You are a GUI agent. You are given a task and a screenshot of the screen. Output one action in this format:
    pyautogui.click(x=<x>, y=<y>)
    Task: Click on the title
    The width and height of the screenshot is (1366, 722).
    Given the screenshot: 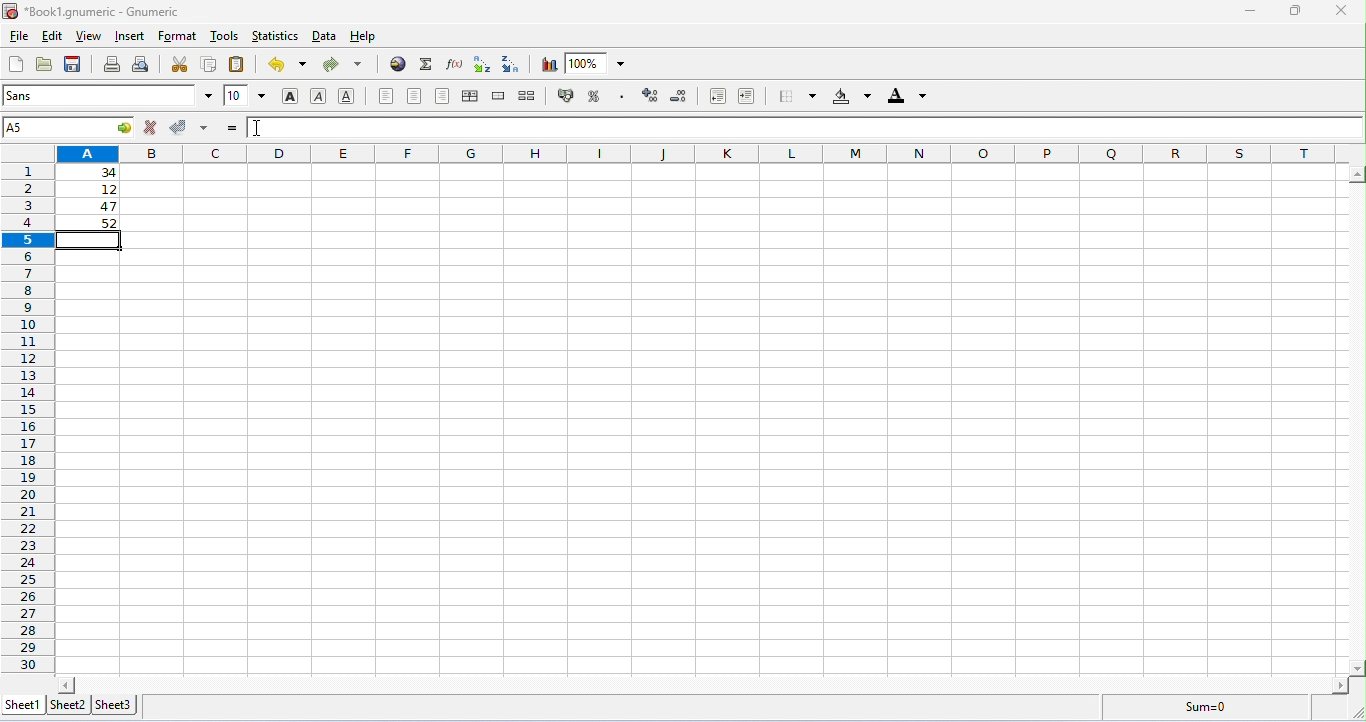 What is the action you would take?
    pyautogui.click(x=90, y=12)
    